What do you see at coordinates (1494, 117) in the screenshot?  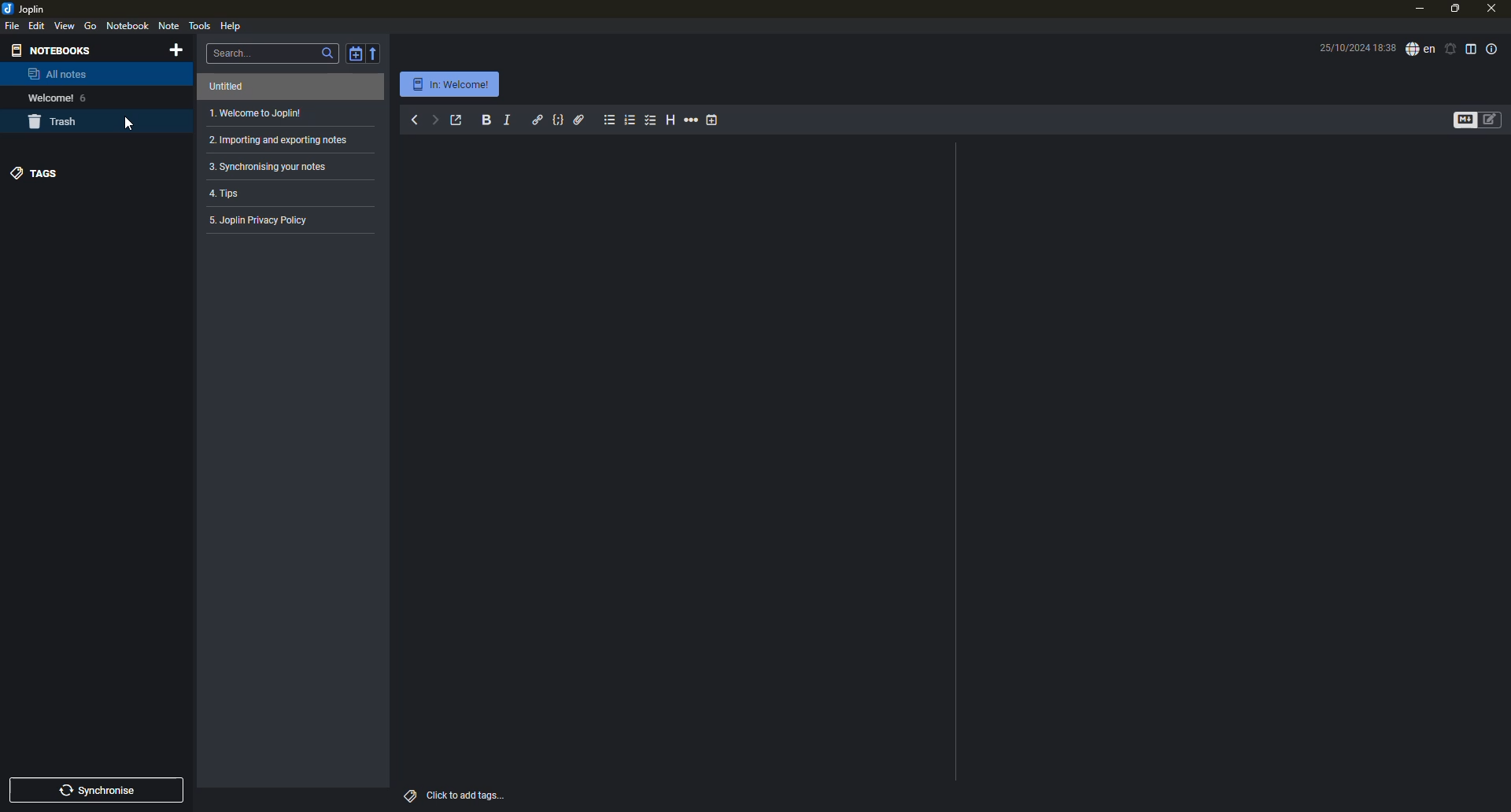 I see `toggle editors` at bounding box center [1494, 117].